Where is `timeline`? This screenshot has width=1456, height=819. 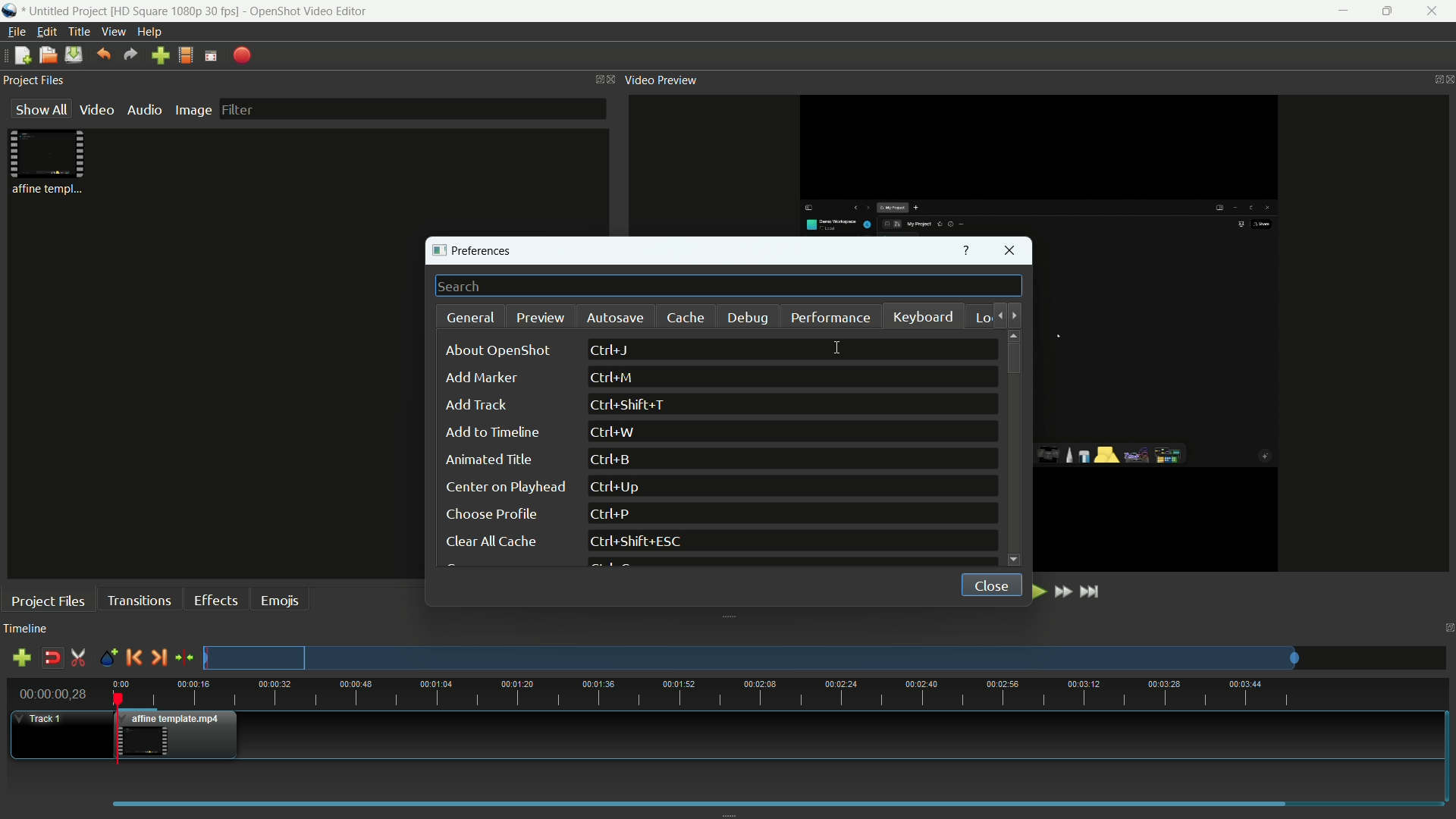 timeline is located at coordinates (26, 629).